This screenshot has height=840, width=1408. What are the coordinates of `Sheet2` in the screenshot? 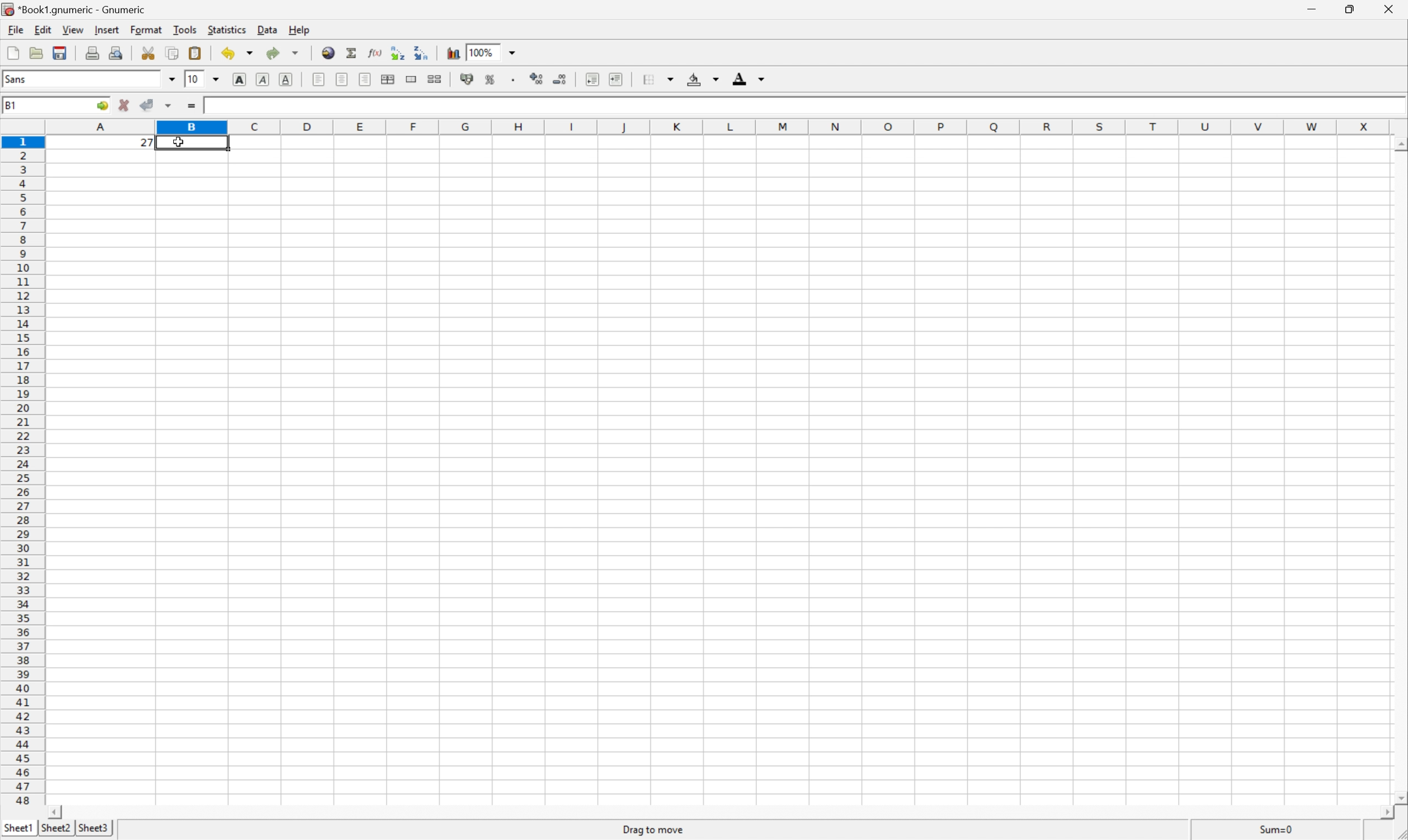 It's located at (57, 832).